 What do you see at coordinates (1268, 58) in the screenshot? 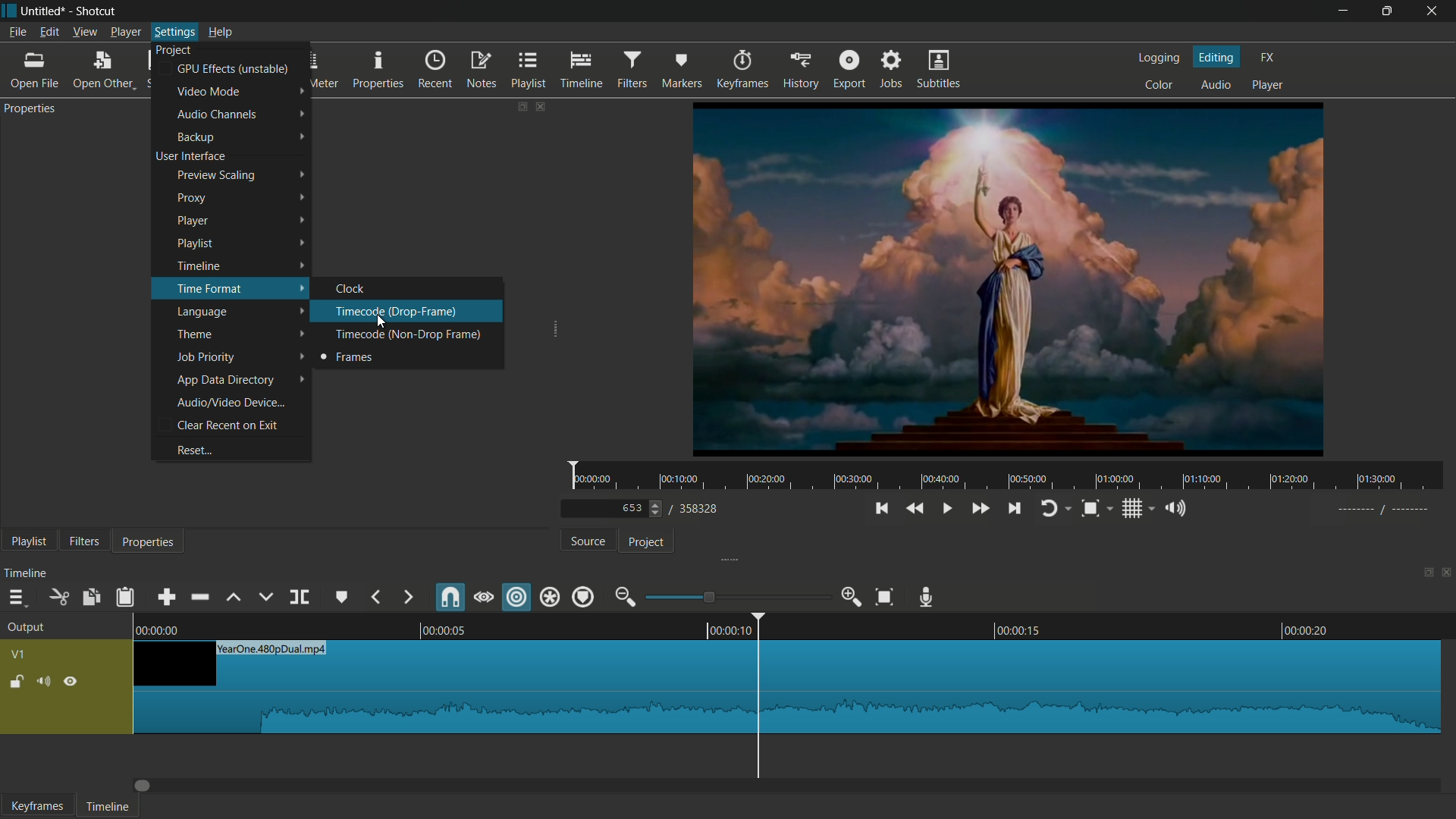
I see `fx` at bounding box center [1268, 58].